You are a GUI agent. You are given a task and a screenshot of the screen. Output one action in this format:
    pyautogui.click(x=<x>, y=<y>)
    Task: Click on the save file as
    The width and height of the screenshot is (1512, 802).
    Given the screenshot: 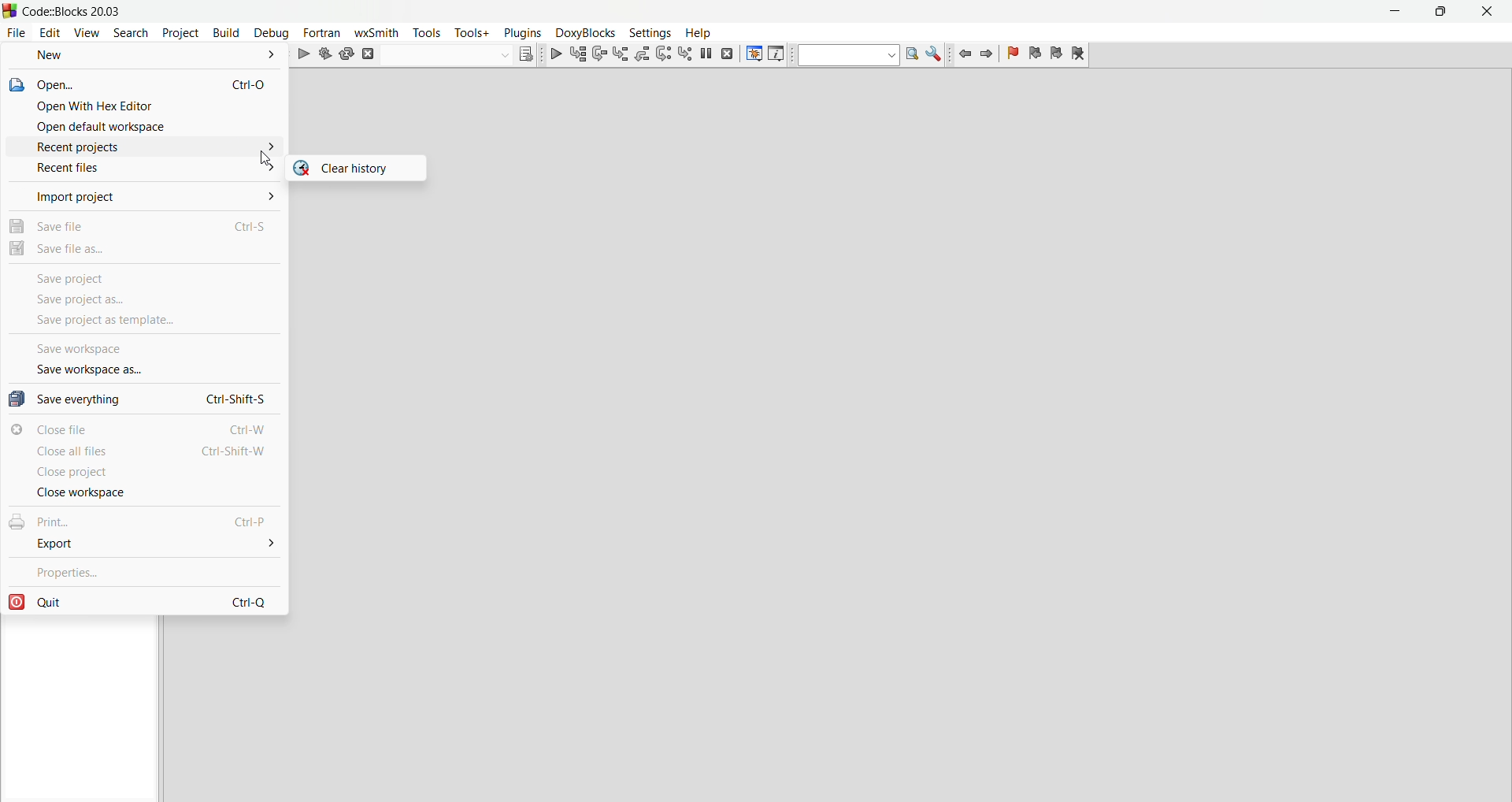 What is the action you would take?
    pyautogui.click(x=145, y=249)
    